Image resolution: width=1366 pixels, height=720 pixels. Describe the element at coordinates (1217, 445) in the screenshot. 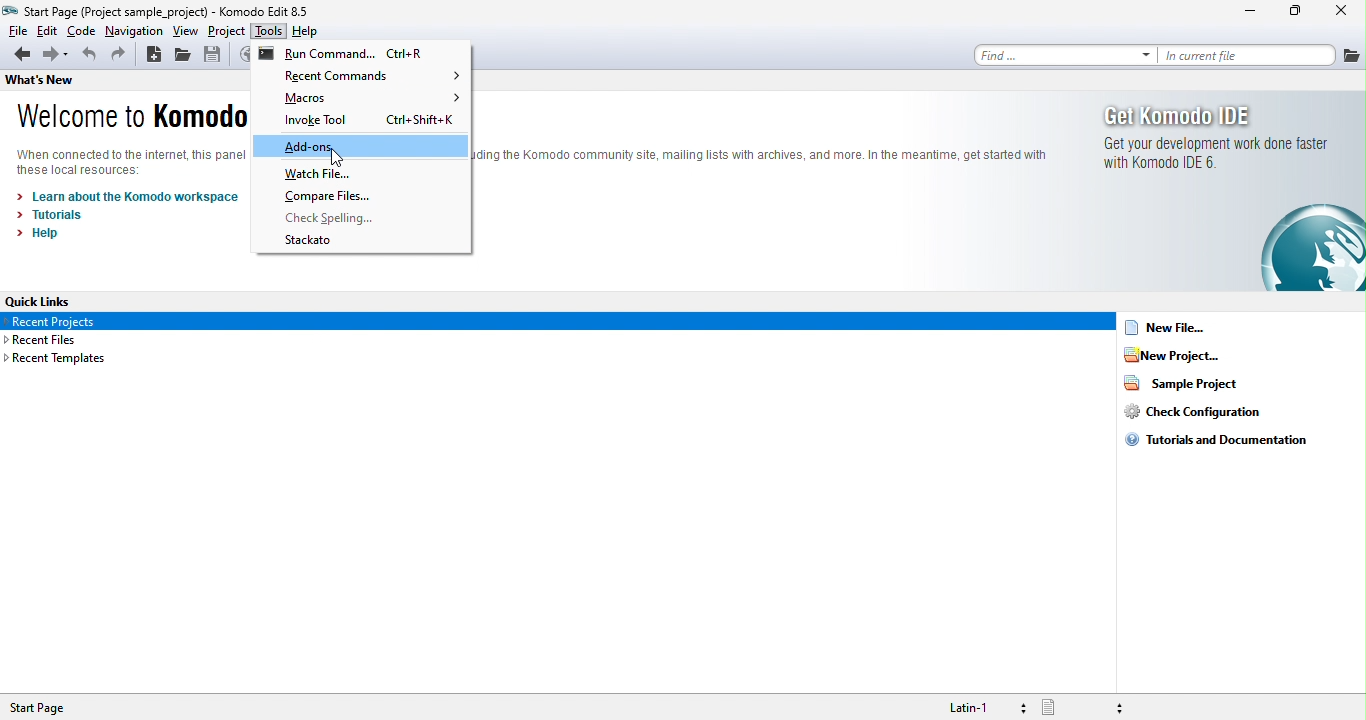

I see `tutorials and documentation` at that location.